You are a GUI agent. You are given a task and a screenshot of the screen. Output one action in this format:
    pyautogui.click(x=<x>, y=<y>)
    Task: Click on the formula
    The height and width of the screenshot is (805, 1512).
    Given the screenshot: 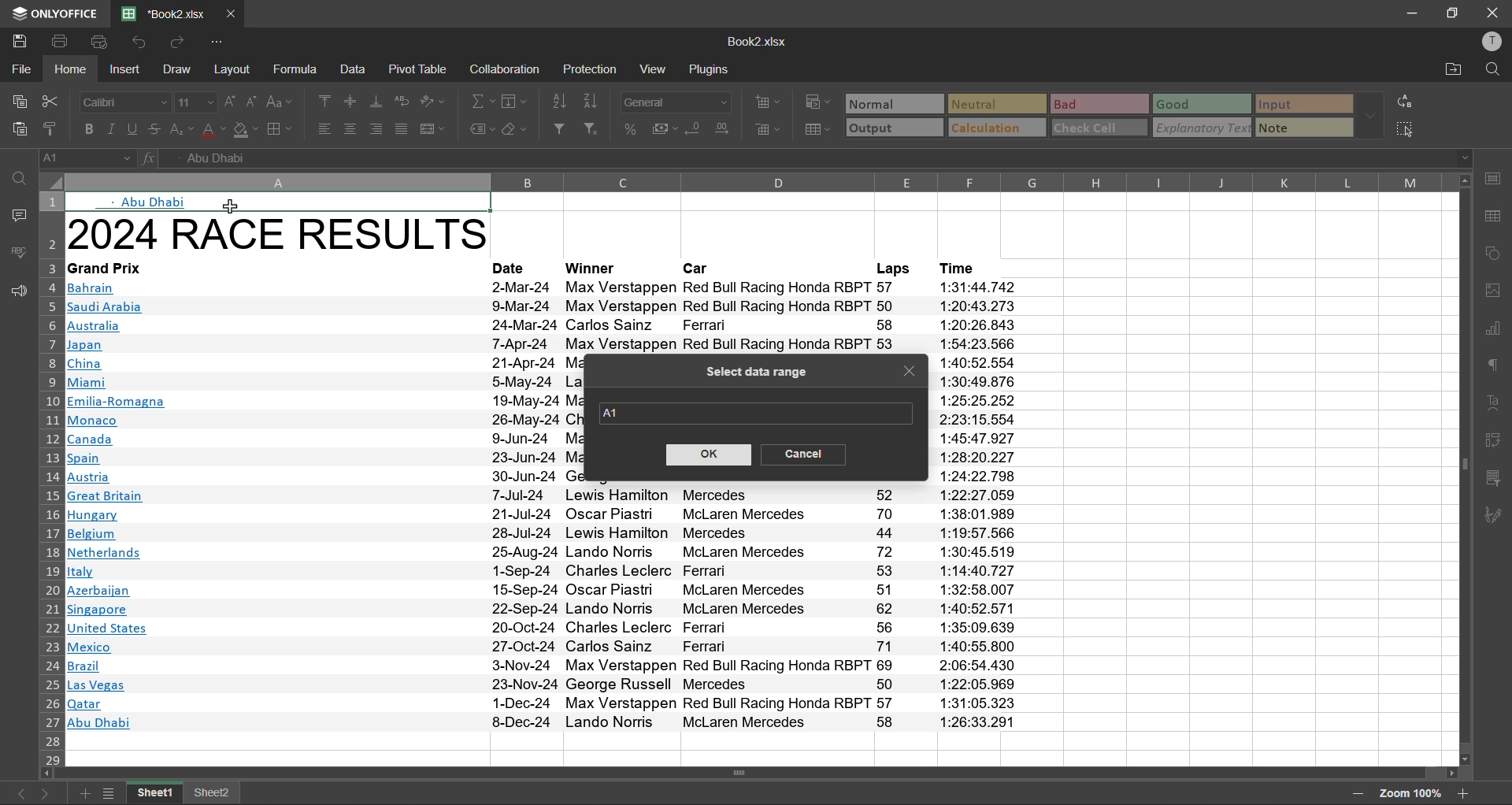 What is the action you would take?
    pyautogui.click(x=298, y=71)
    